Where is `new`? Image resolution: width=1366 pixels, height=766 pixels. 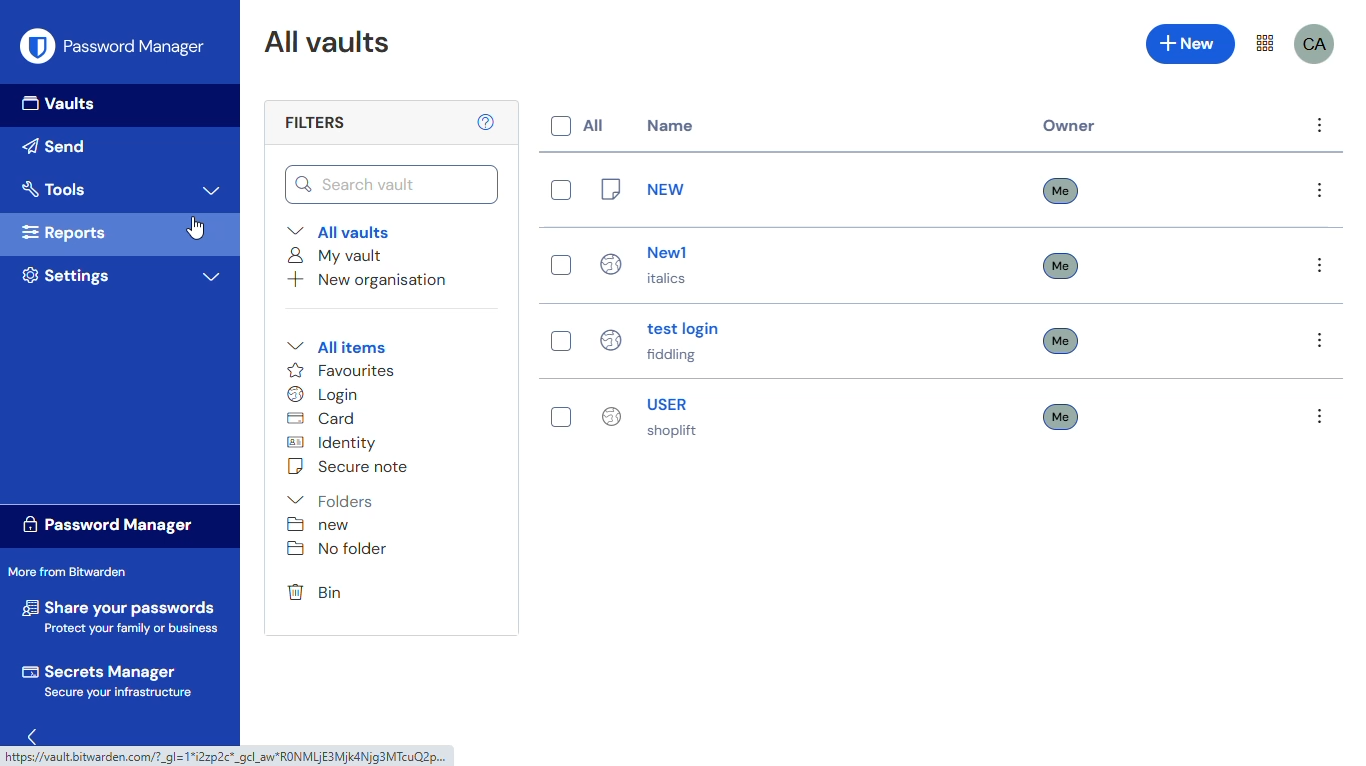 new is located at coordinates (1189, 44).